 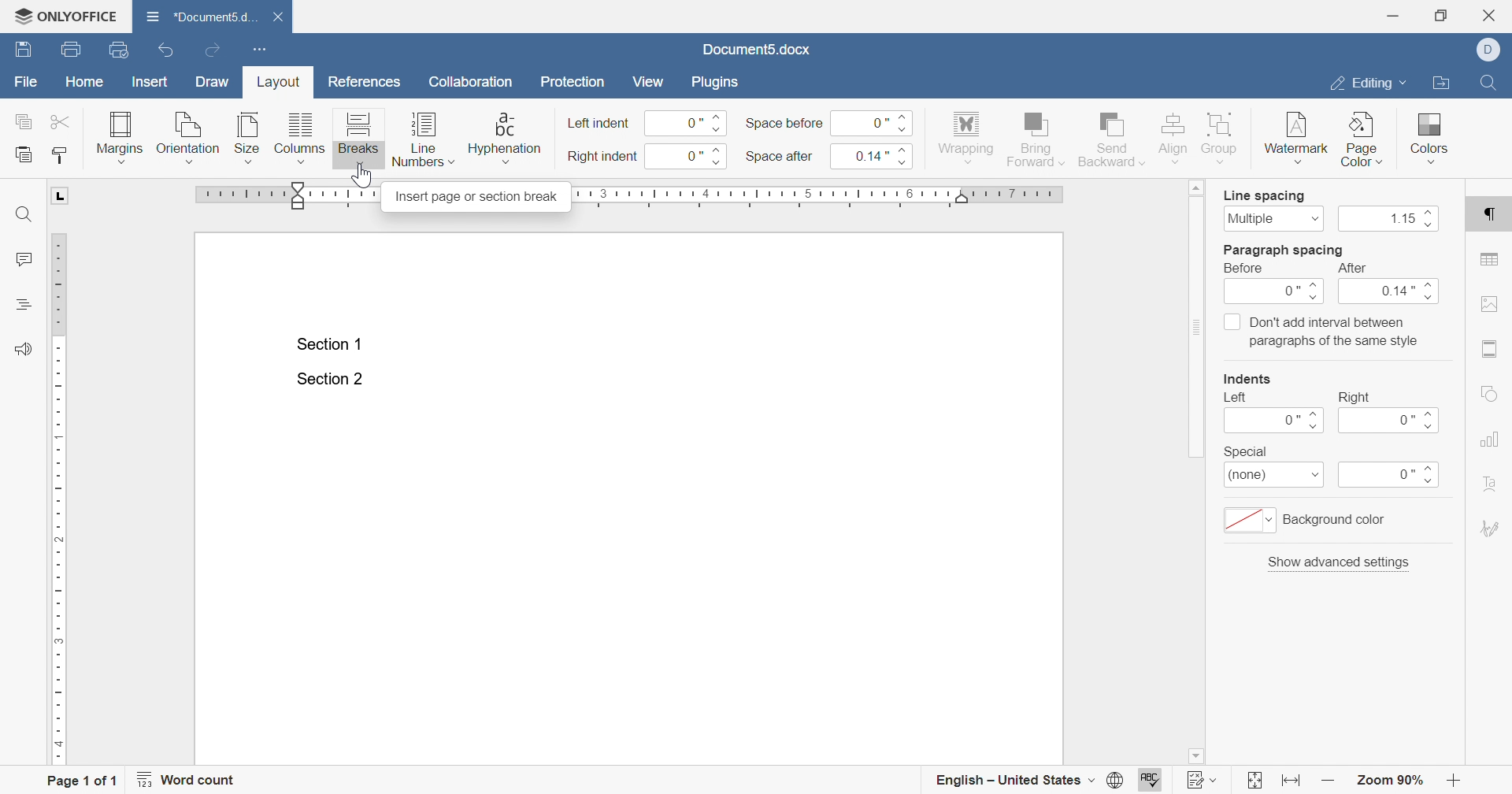 What do you see at coordinates (1431, 136) in the screenshot?
I see `colors` at bounding box center [1431, 136].